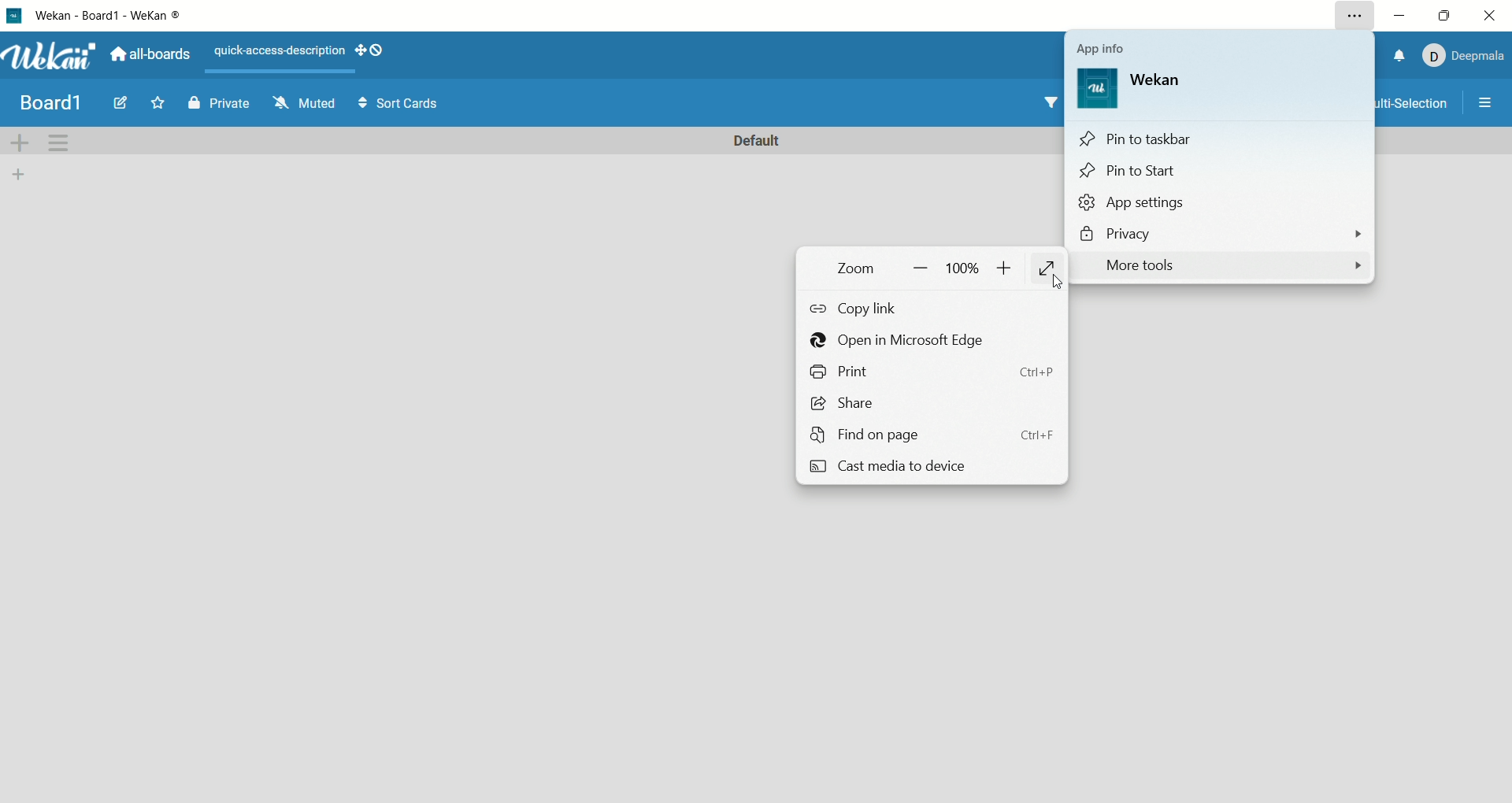  Describe the element at coordinates (1217, 235) in the screenshot. I see `privacy` at that location.